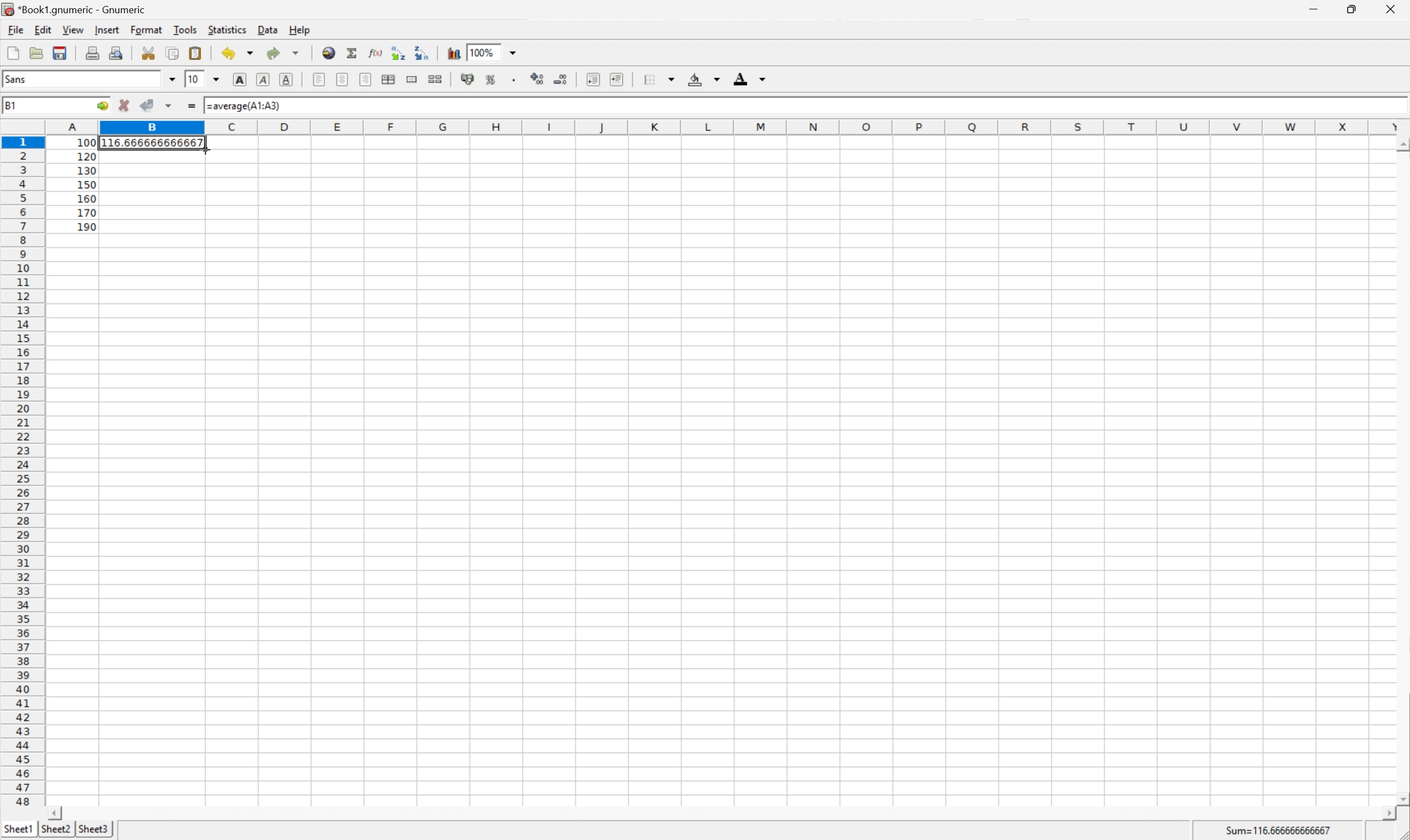  What do you see at coordinates (236, 53) in the screenshot?
I see `Undo` at bounding box center [236, 53].